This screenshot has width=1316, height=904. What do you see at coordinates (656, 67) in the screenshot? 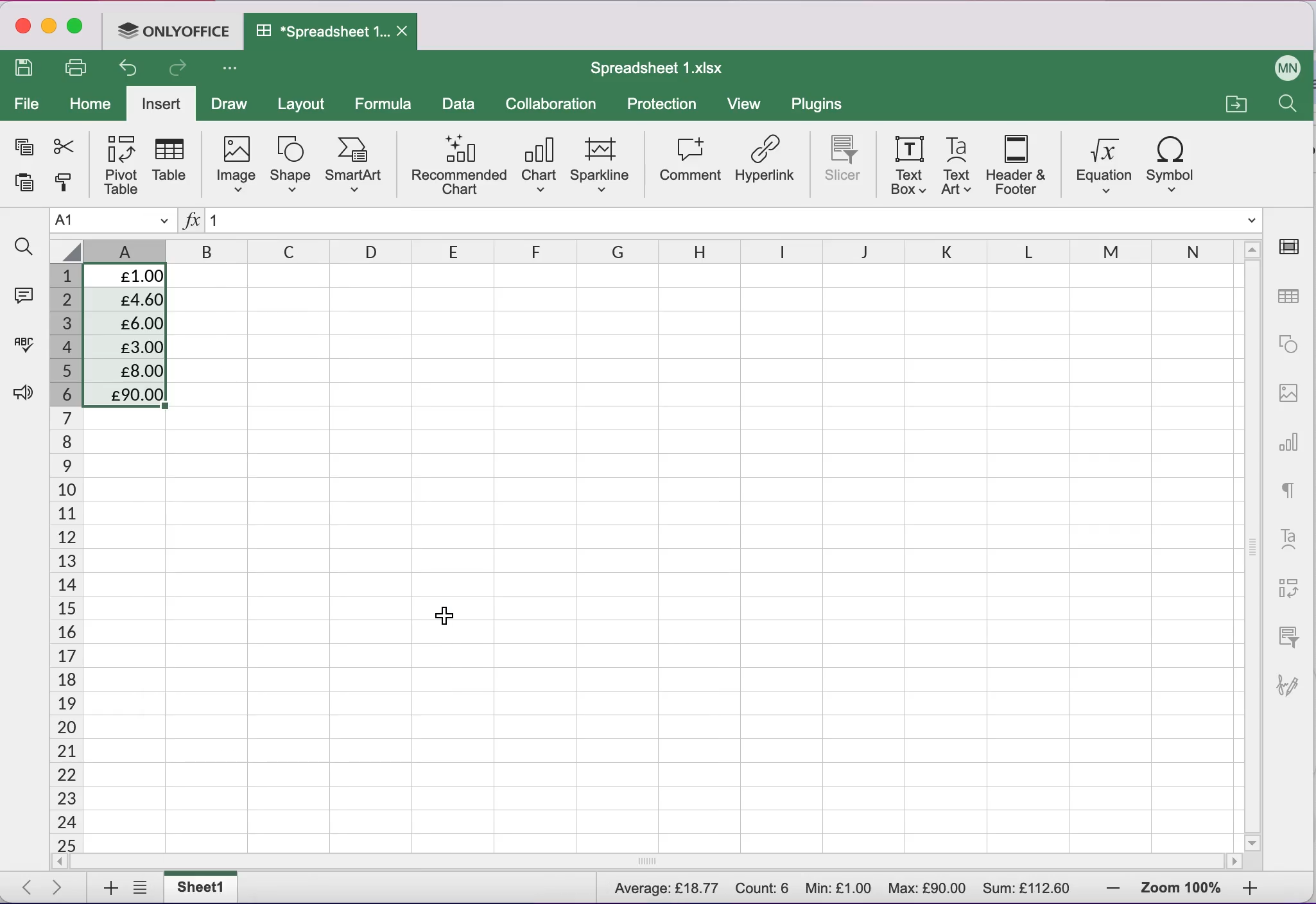
I see `Spreadsheet 1.xIsx` at bounding box center [656, 67].